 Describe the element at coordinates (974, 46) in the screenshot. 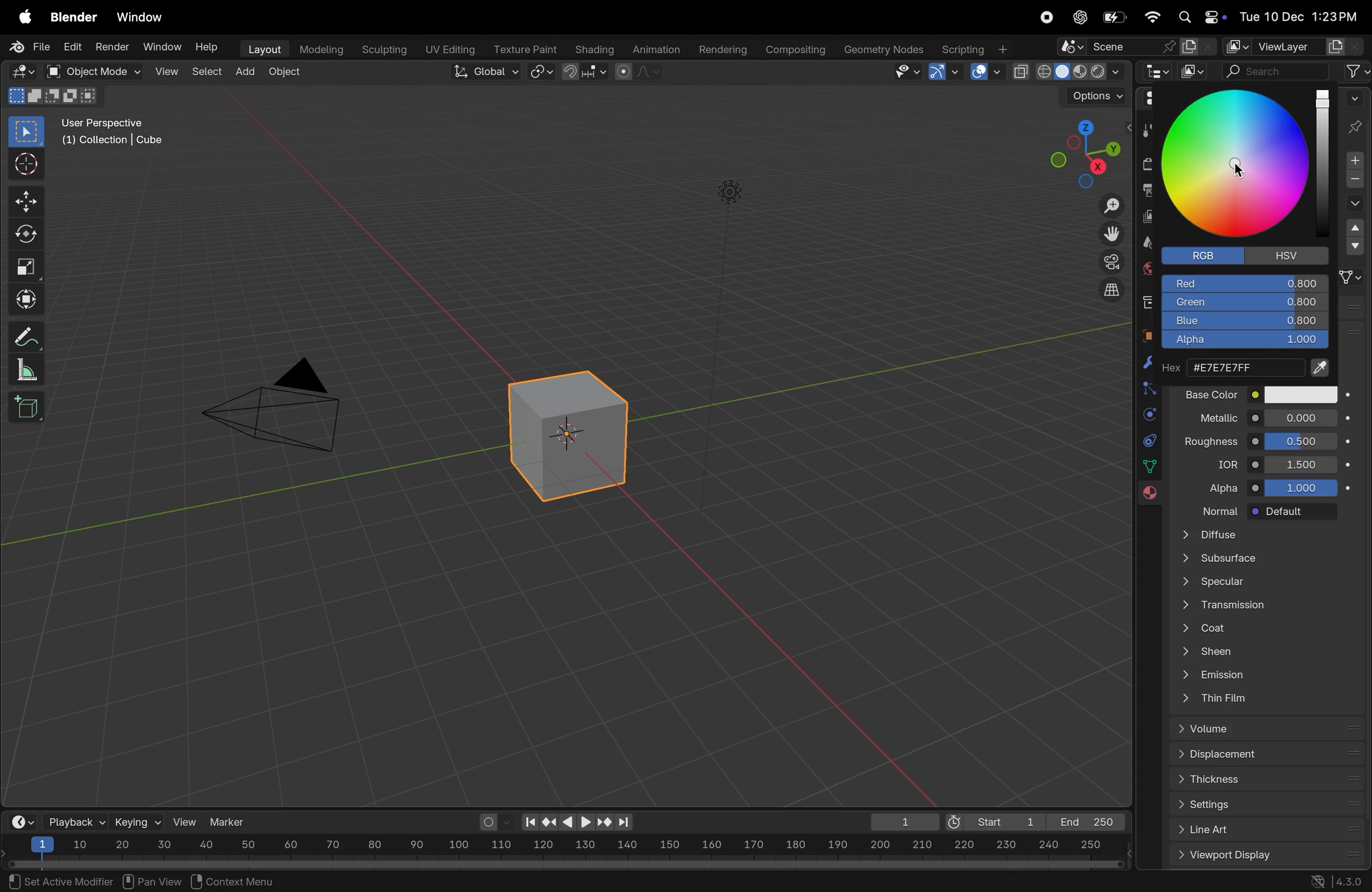

I see `Scripting` at that location.